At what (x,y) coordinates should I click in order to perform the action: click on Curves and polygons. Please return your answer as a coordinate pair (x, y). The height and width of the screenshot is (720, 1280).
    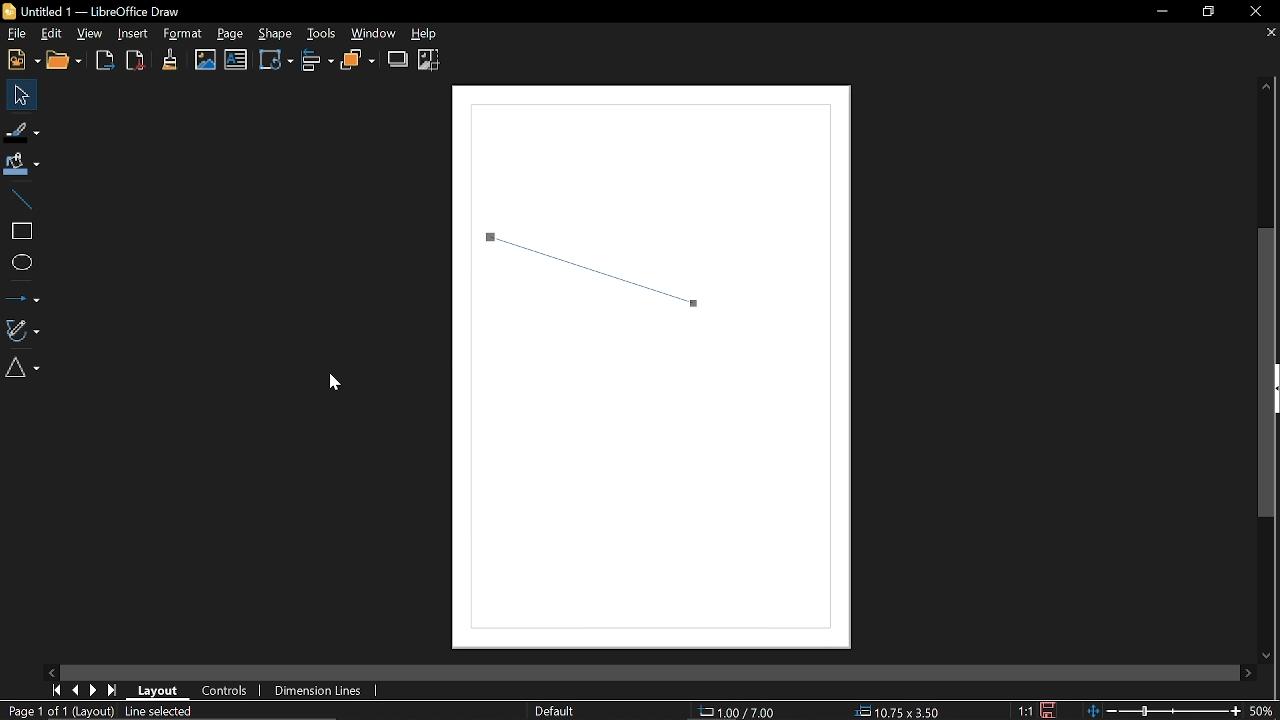
    Looking at the image, I should click on (23, 330).